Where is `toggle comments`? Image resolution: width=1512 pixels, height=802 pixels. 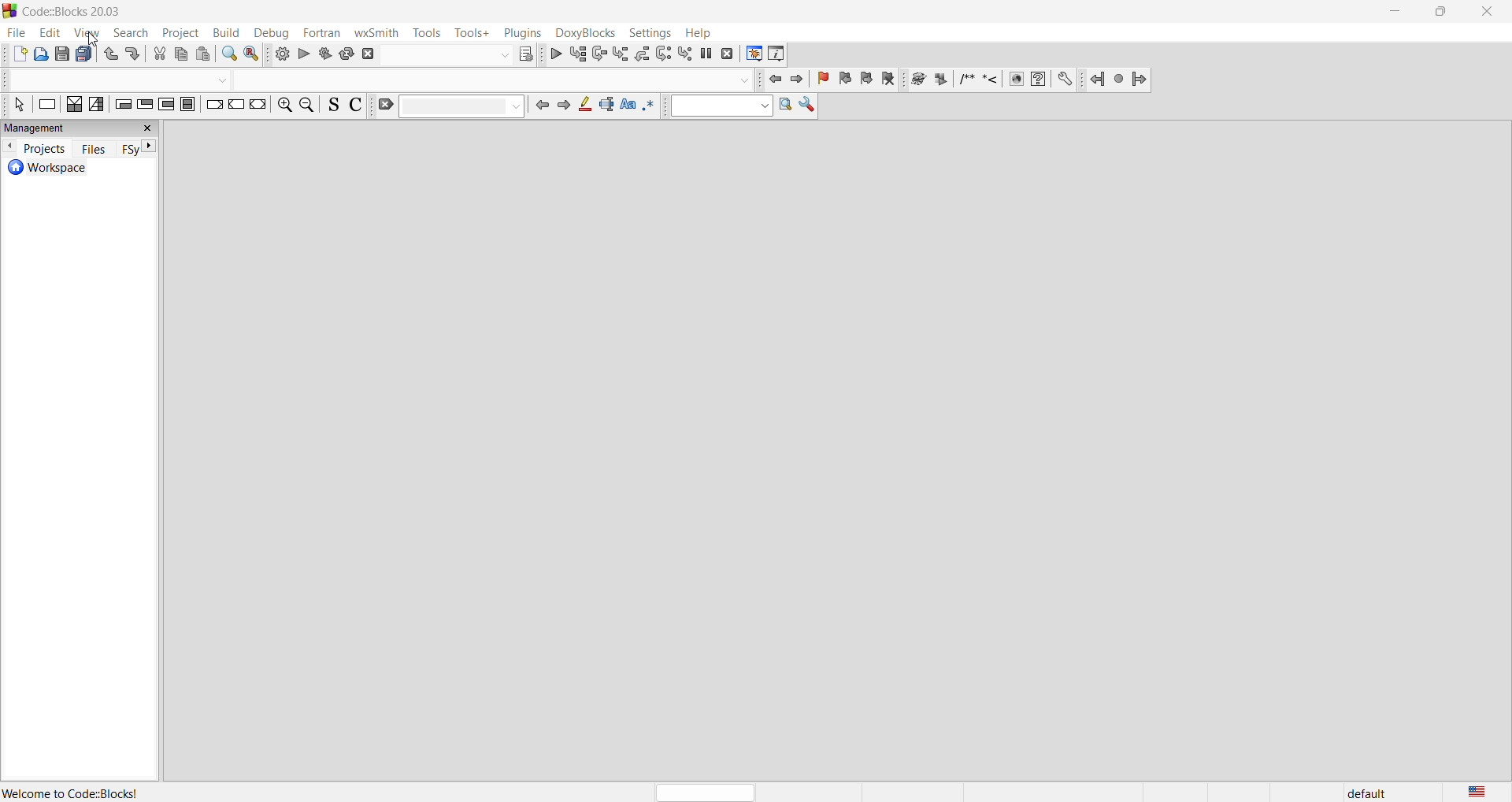
toggle comments is located at coordinates (356, 106).